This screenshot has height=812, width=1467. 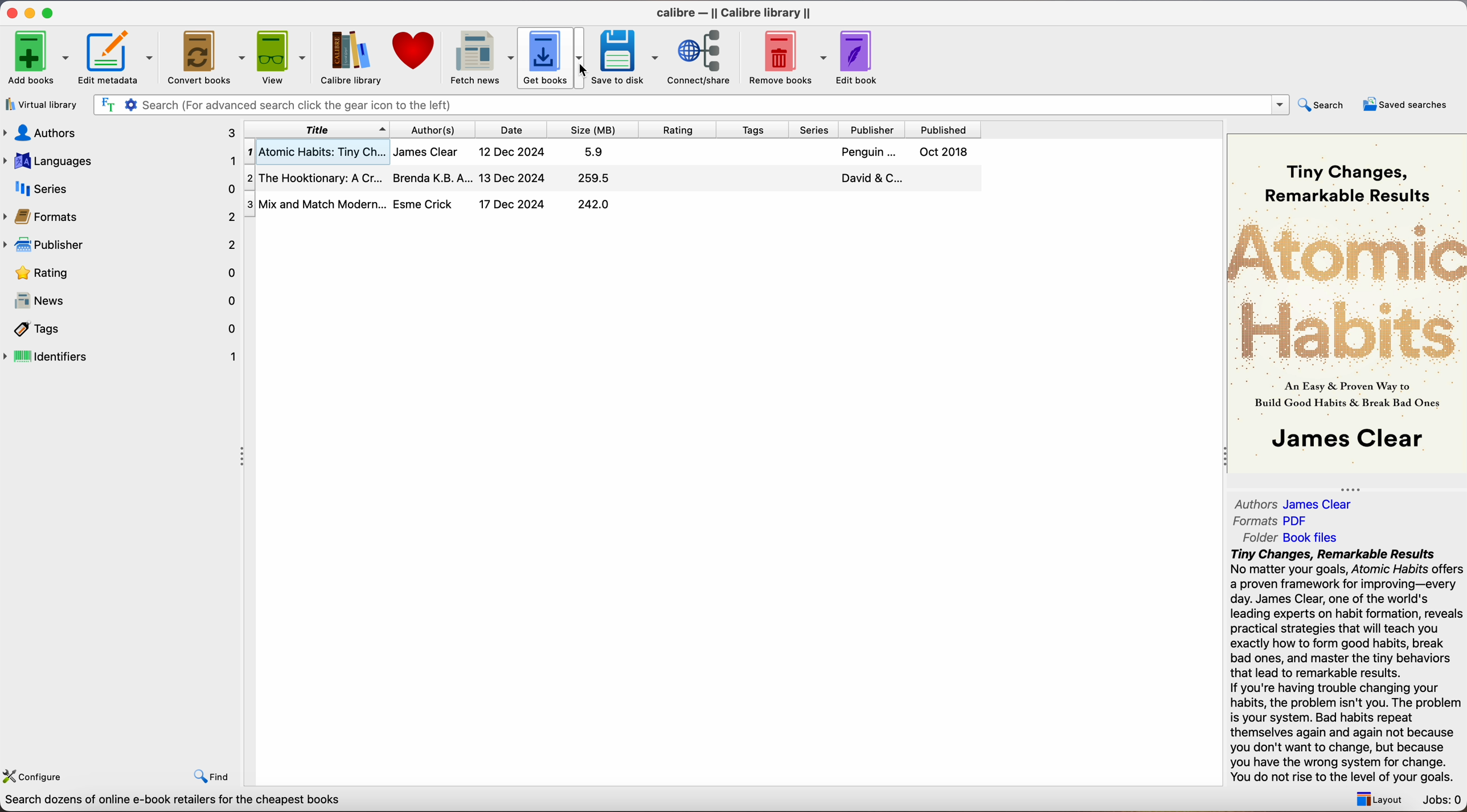 I want to click on remove books, so click(x=788, y=59).